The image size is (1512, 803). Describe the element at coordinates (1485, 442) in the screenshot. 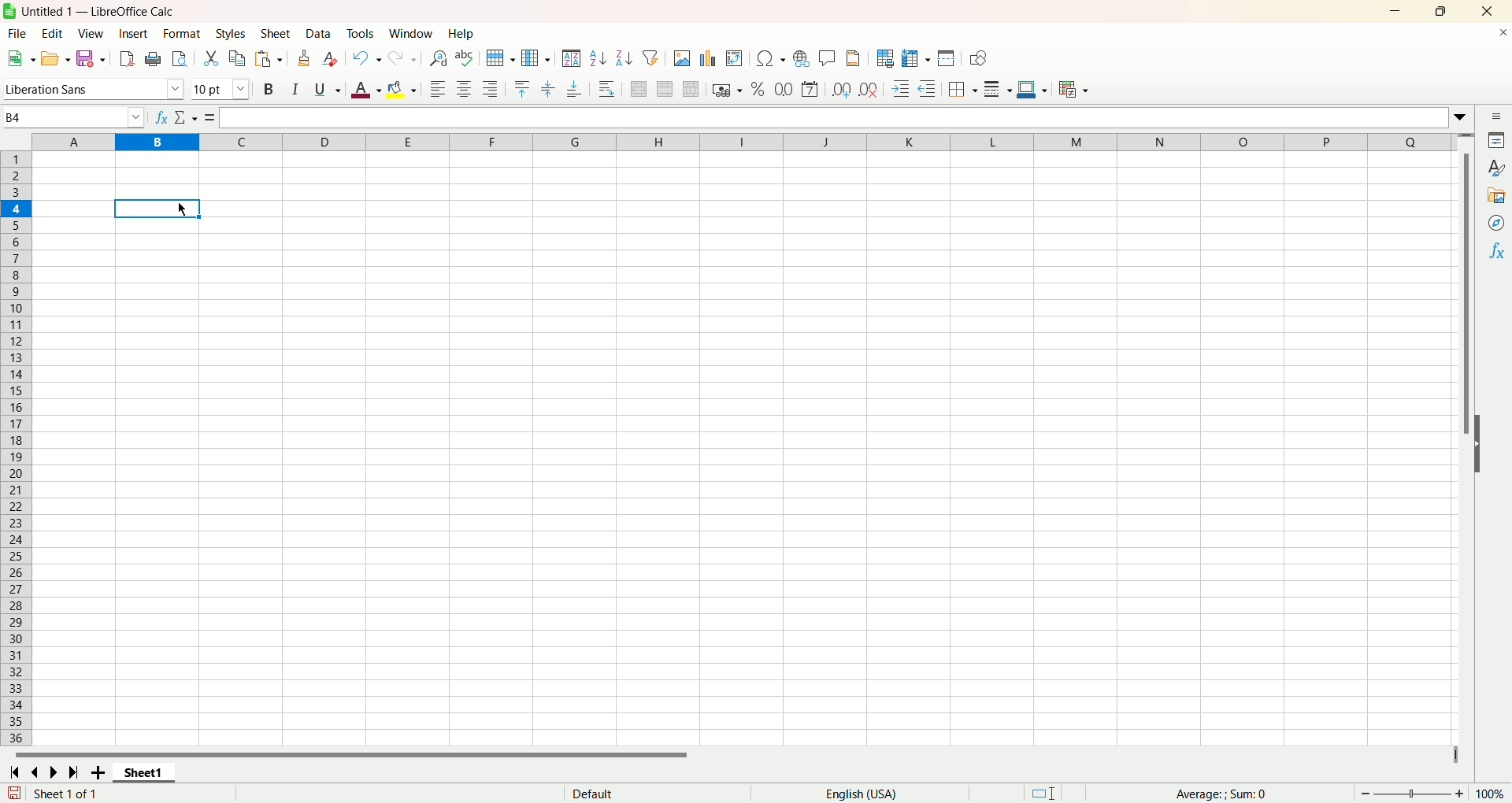

I see `show` at that location.